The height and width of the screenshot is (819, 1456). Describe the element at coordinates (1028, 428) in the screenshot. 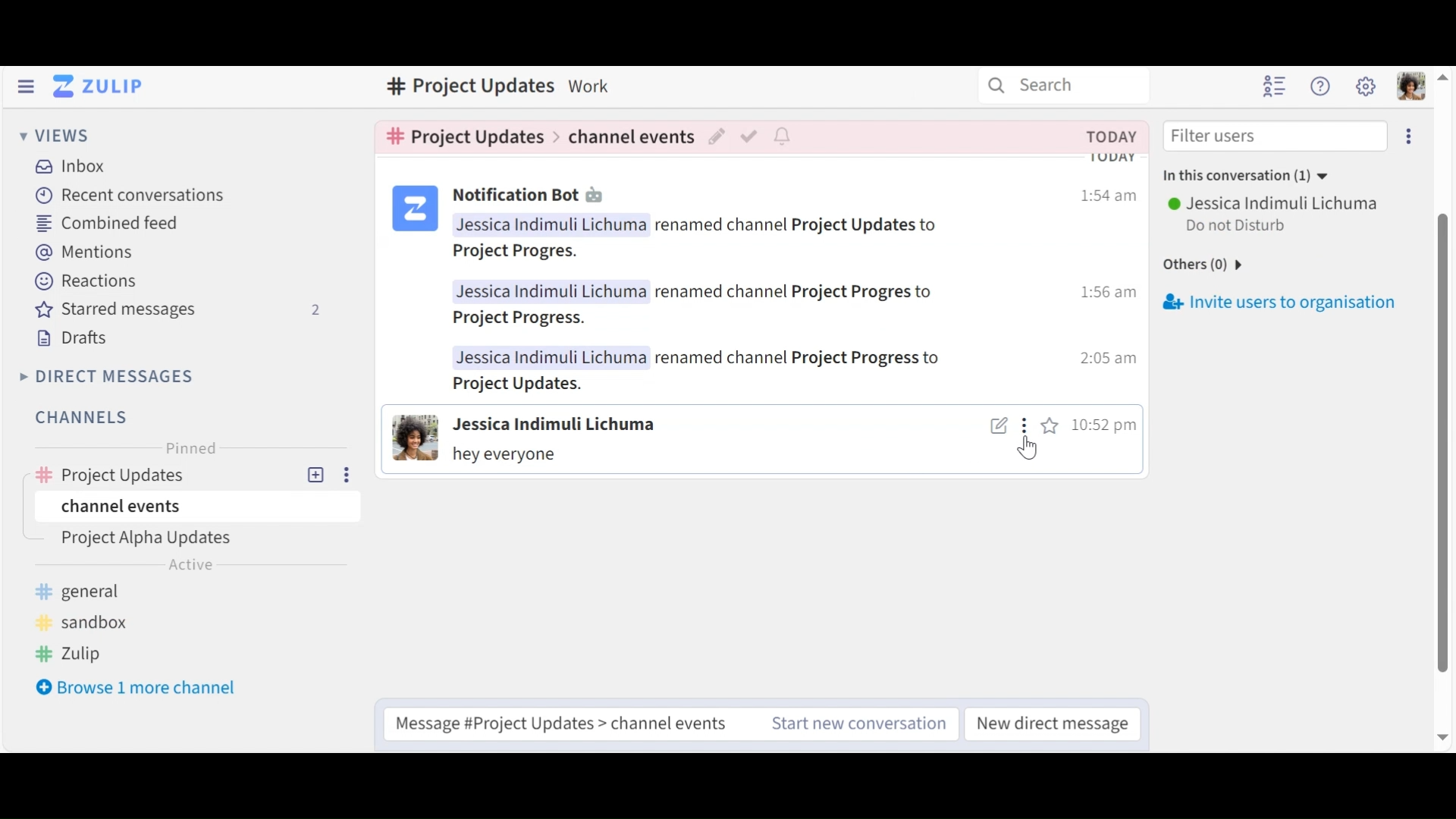

I see `message actions` at that location.